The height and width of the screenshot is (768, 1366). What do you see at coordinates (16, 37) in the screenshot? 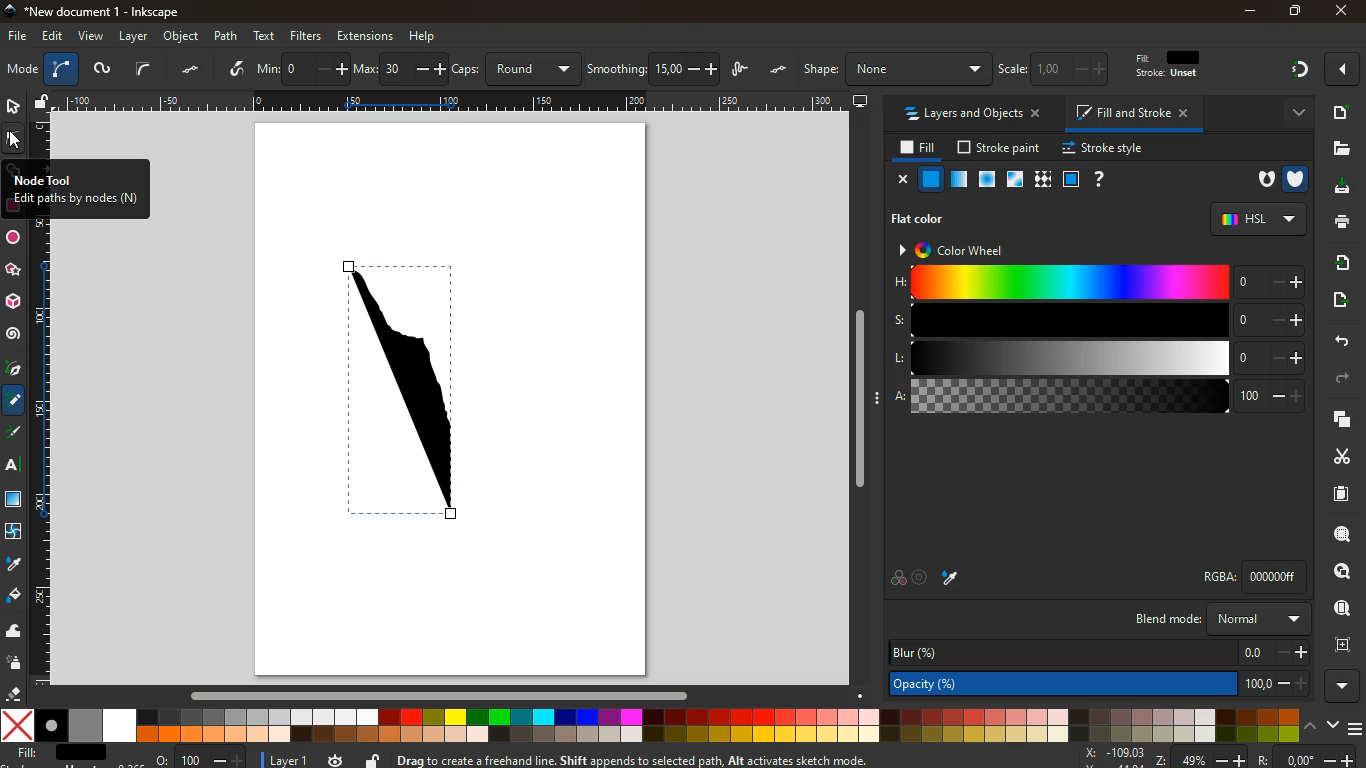
I see `file` at bounding box center [16, 37].